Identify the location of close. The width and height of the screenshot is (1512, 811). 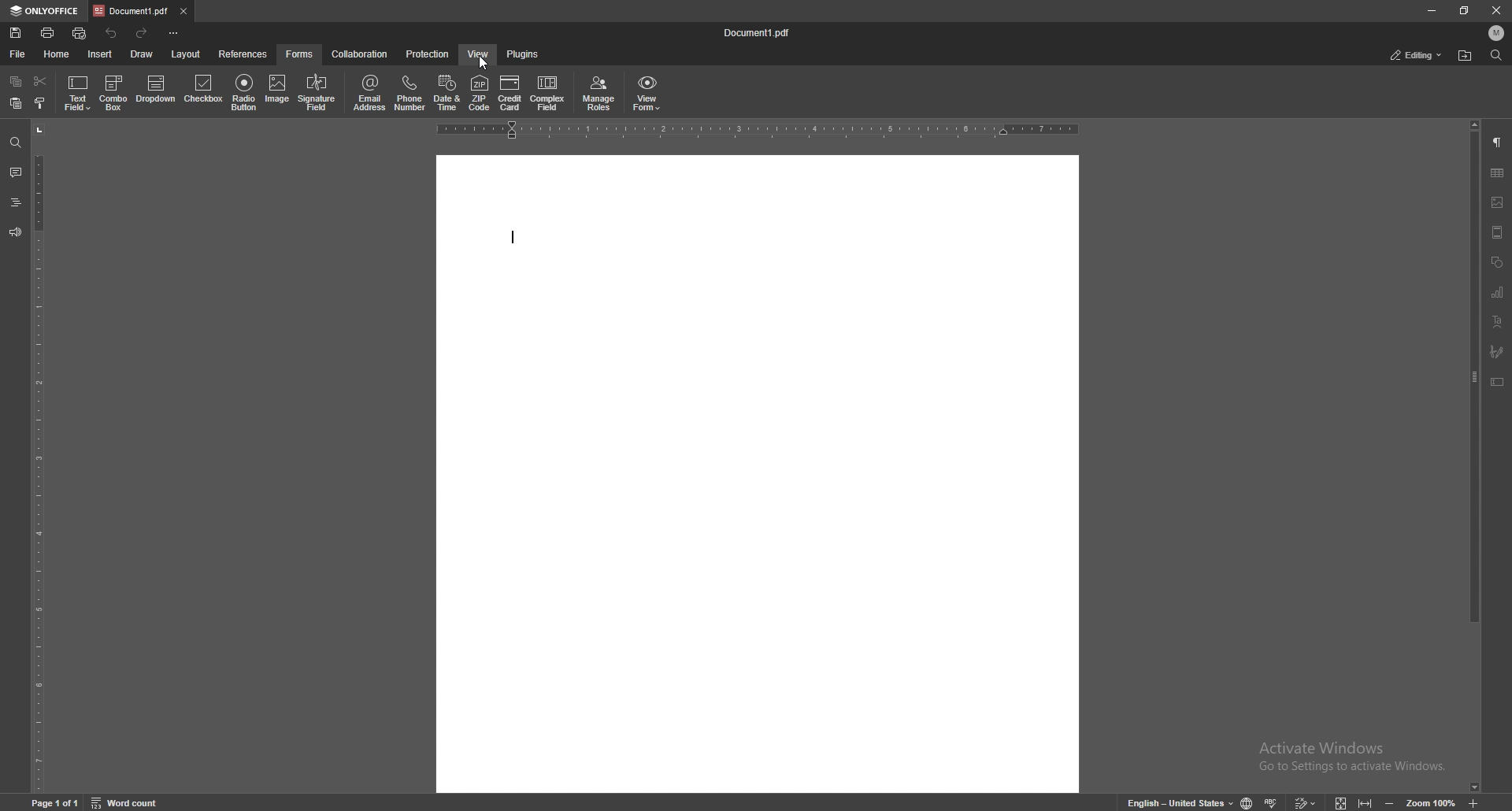
(1496, 11).